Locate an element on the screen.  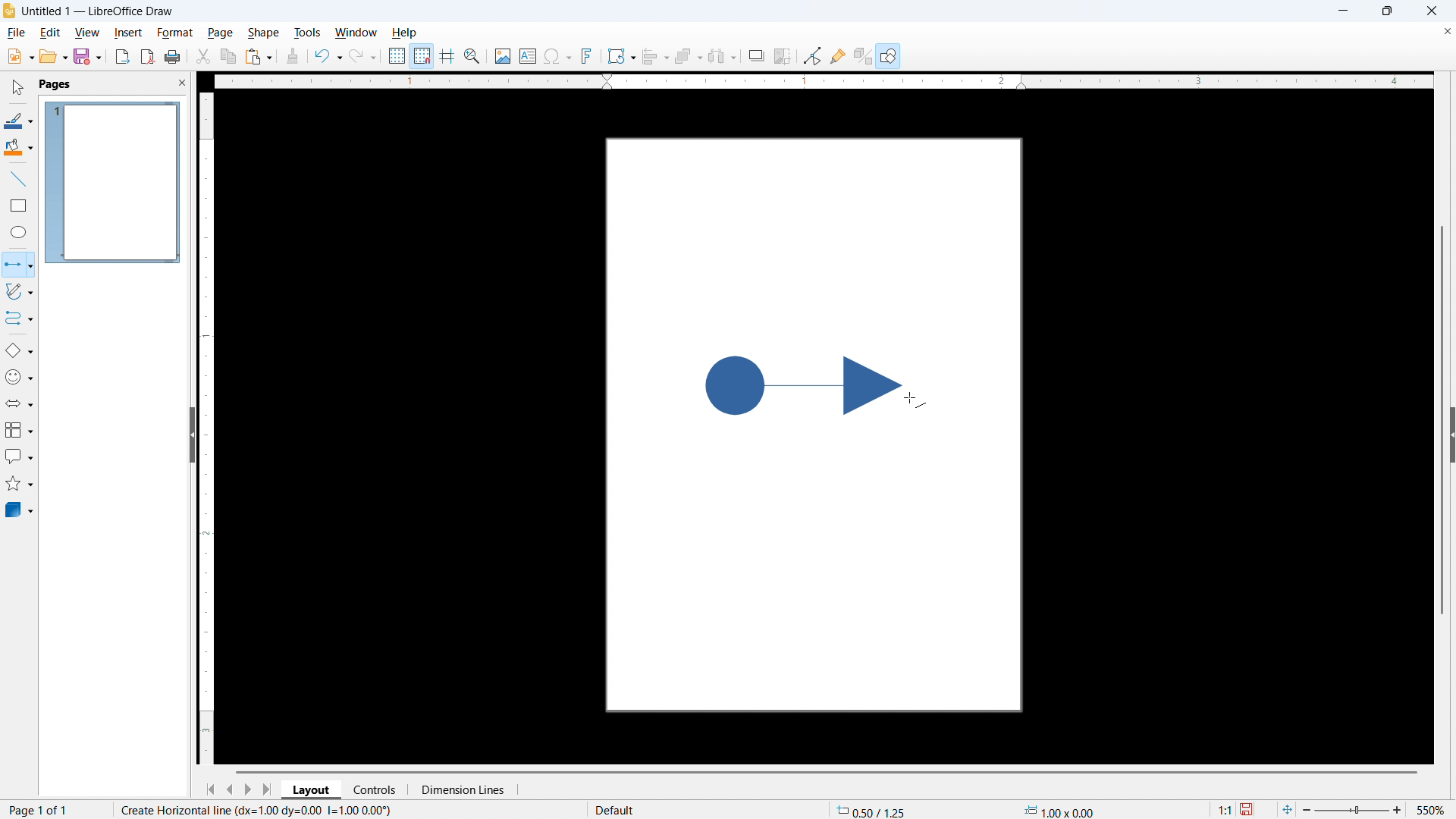
align  is located at coordinates (656, 57).